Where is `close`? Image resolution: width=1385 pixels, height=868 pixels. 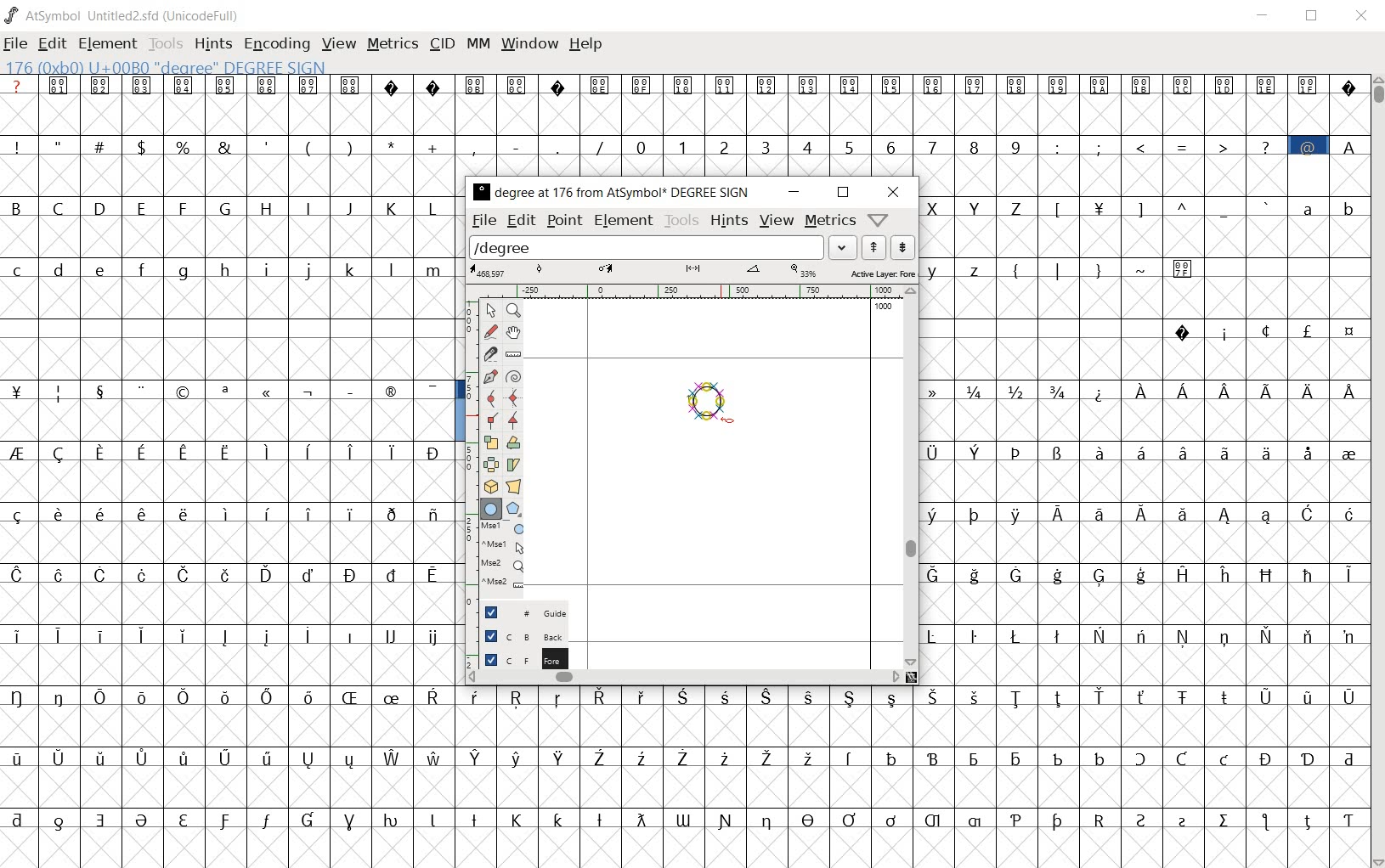
close is located at coordinates (893, 193).